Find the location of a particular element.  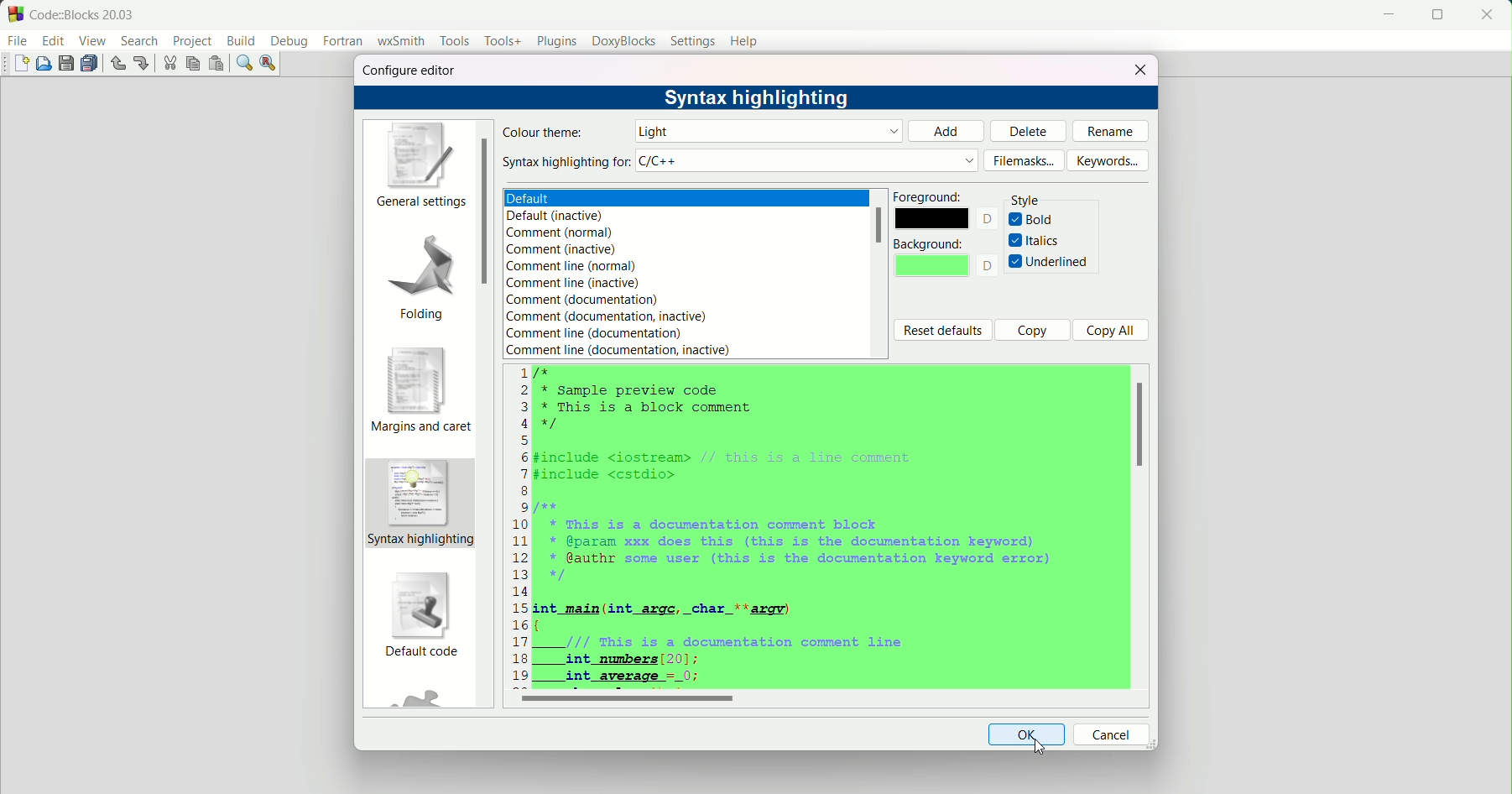

margins and caret is located at coordinates (420, 391).